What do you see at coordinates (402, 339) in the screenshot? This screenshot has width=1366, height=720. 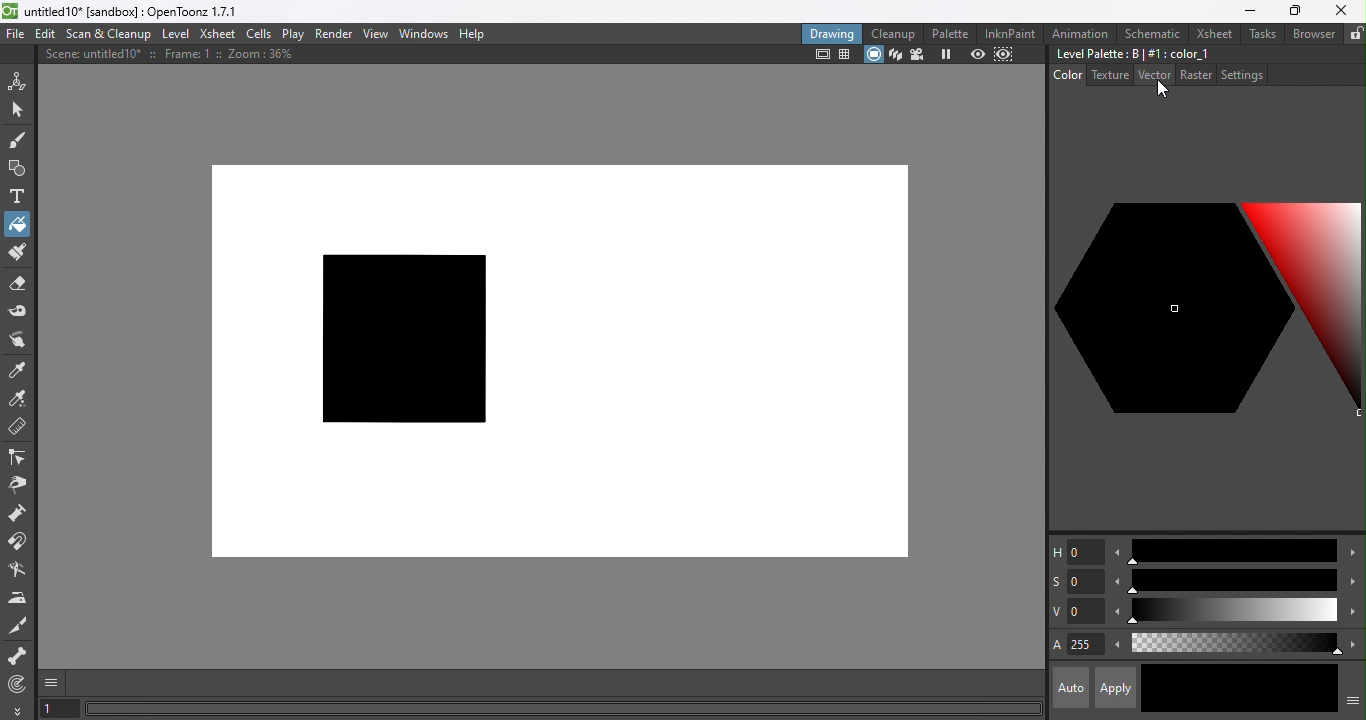 I see `black rectangle` at bounding box center [402, 339].